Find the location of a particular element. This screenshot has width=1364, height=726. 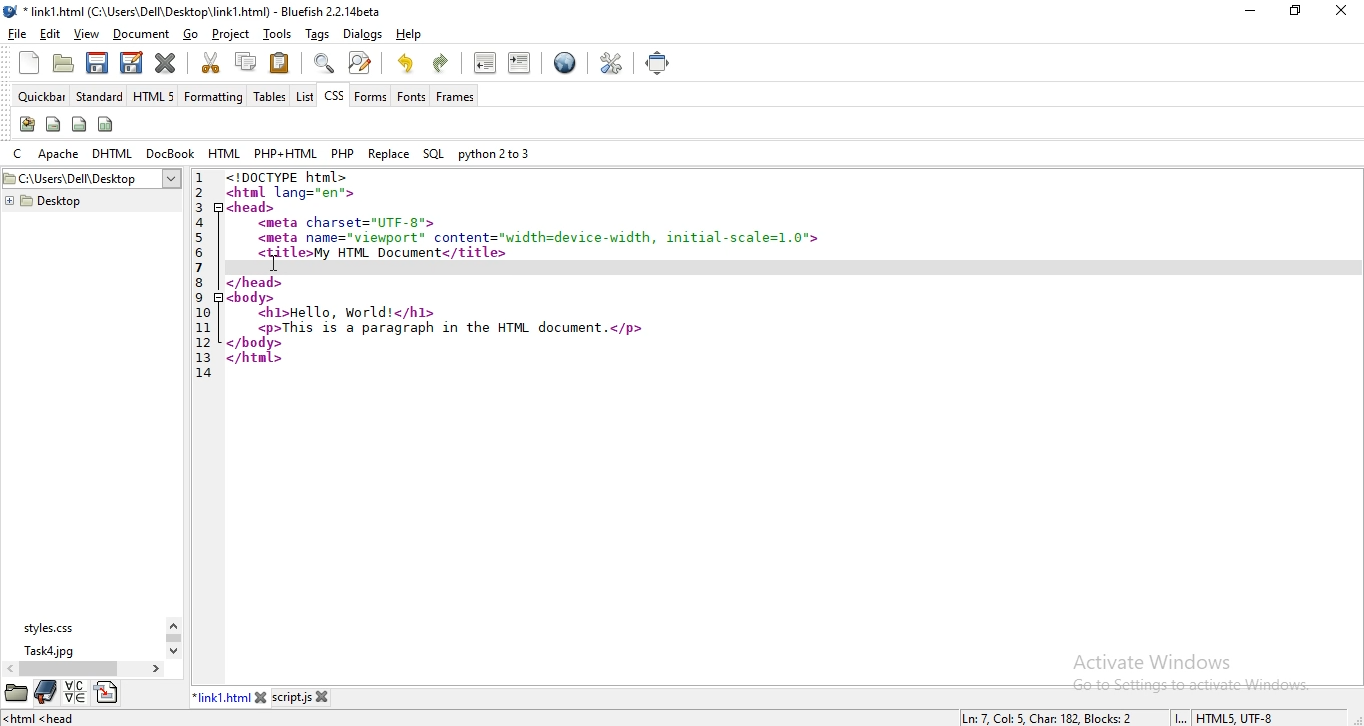

save current file is located at coordinates (96, 64).